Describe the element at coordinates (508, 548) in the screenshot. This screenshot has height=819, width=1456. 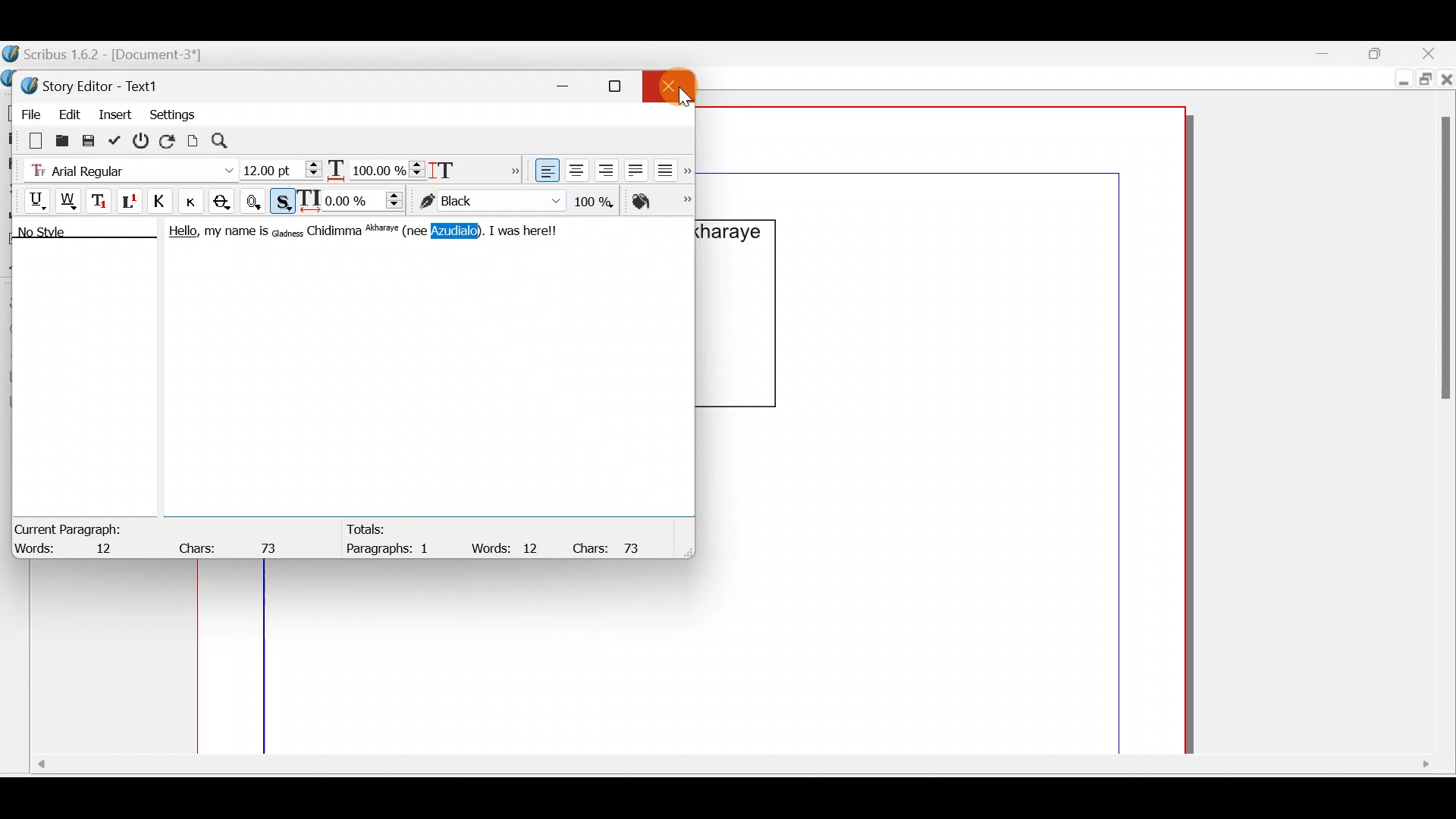
I see `Words: 12` at that location.